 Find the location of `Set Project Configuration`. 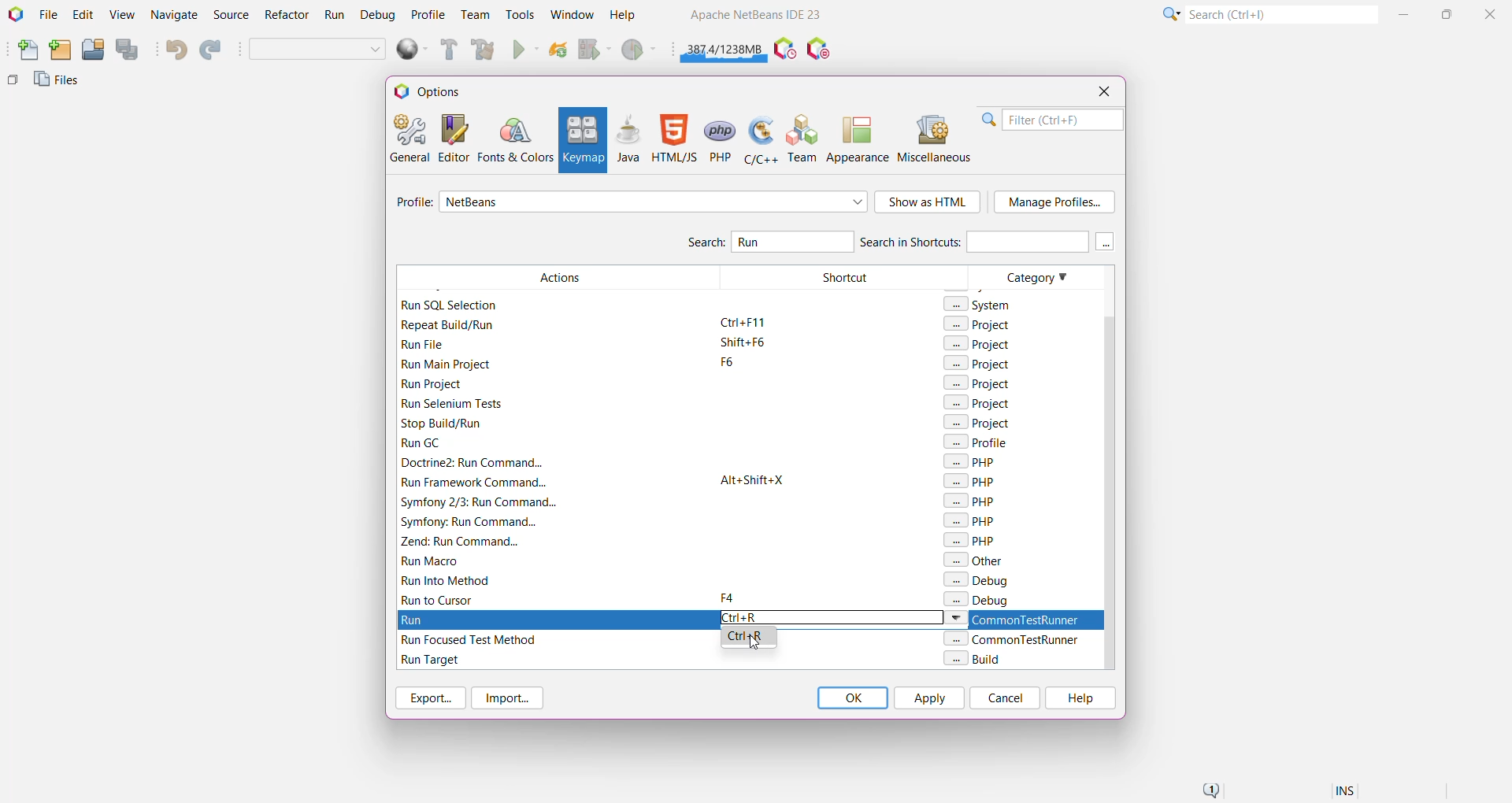

Set Project Configuration is located at coordinates (318, 50).